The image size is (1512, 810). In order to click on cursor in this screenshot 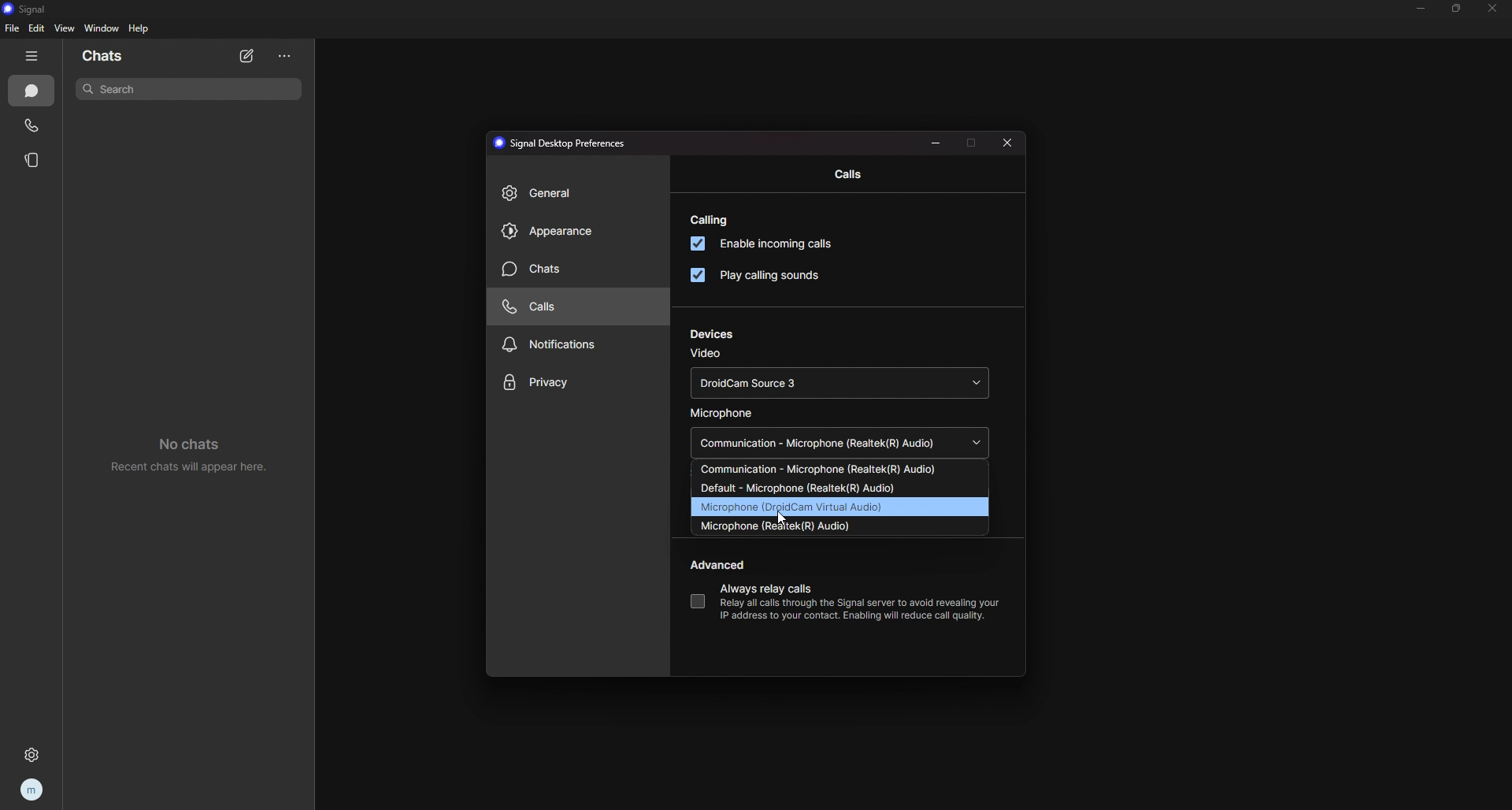, I will do `click(784, 515)`.